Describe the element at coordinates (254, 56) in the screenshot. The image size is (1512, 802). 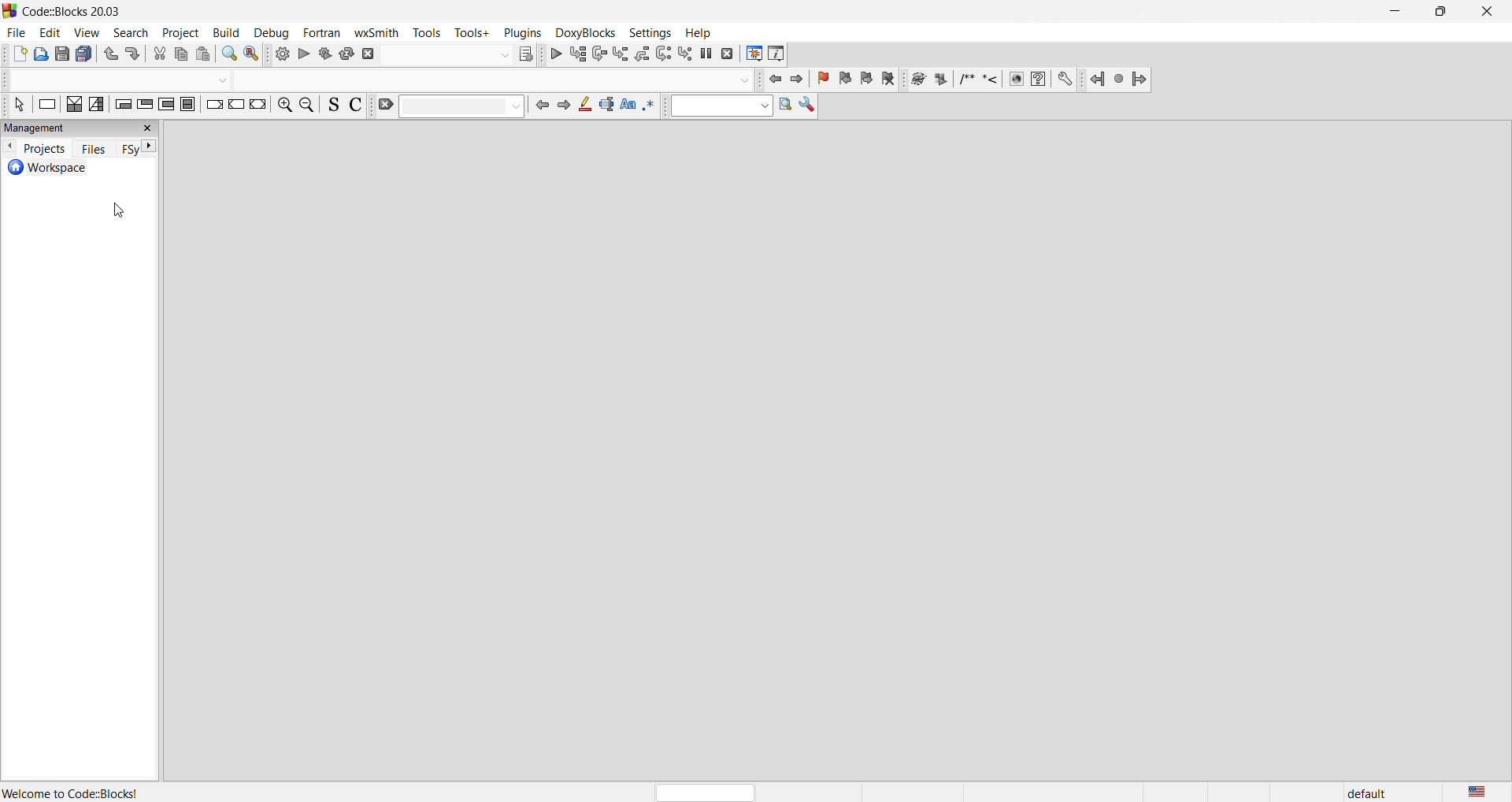
I see `replace` at that location.